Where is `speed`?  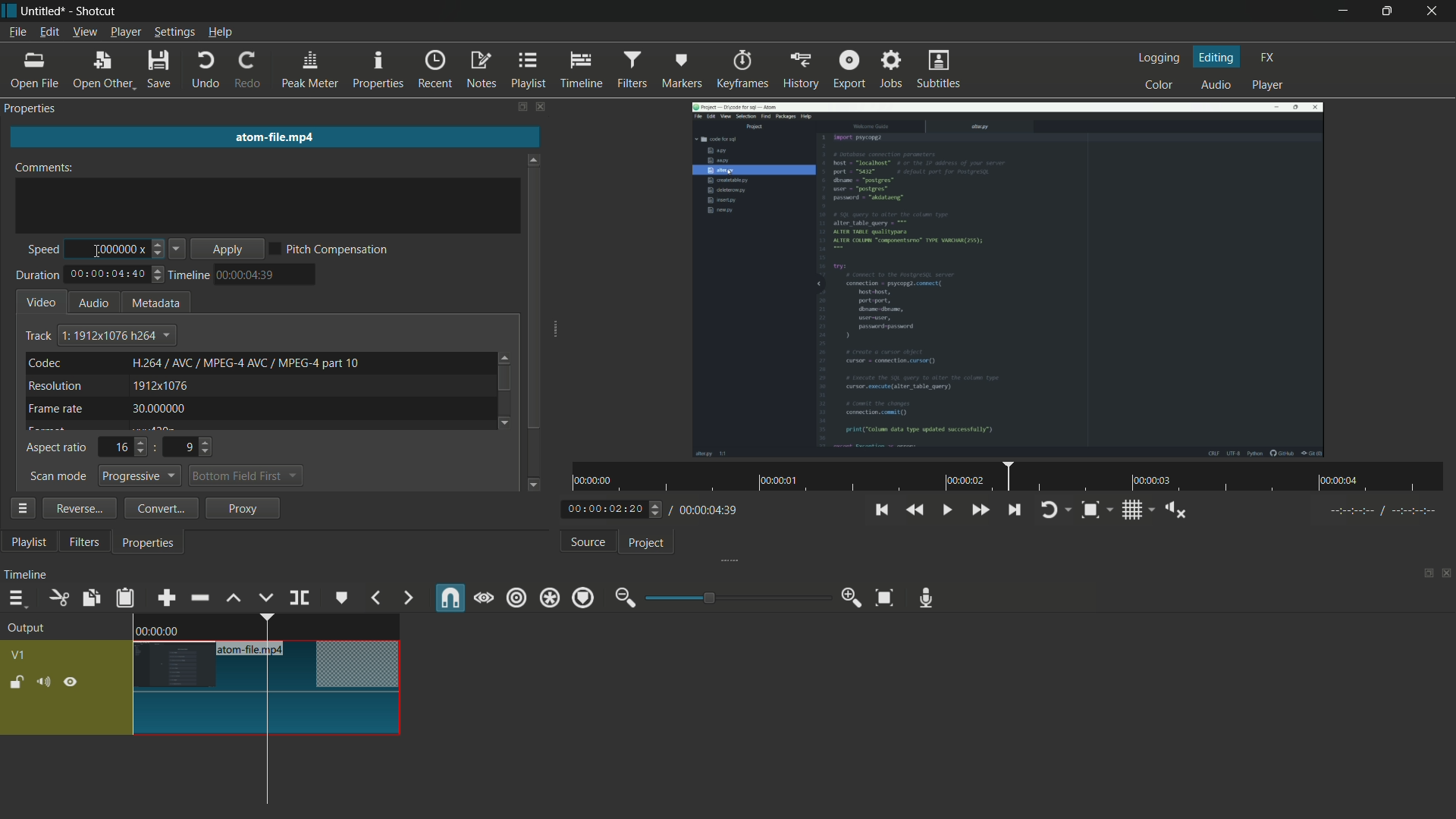 speed is located at coordinates (42, 251).